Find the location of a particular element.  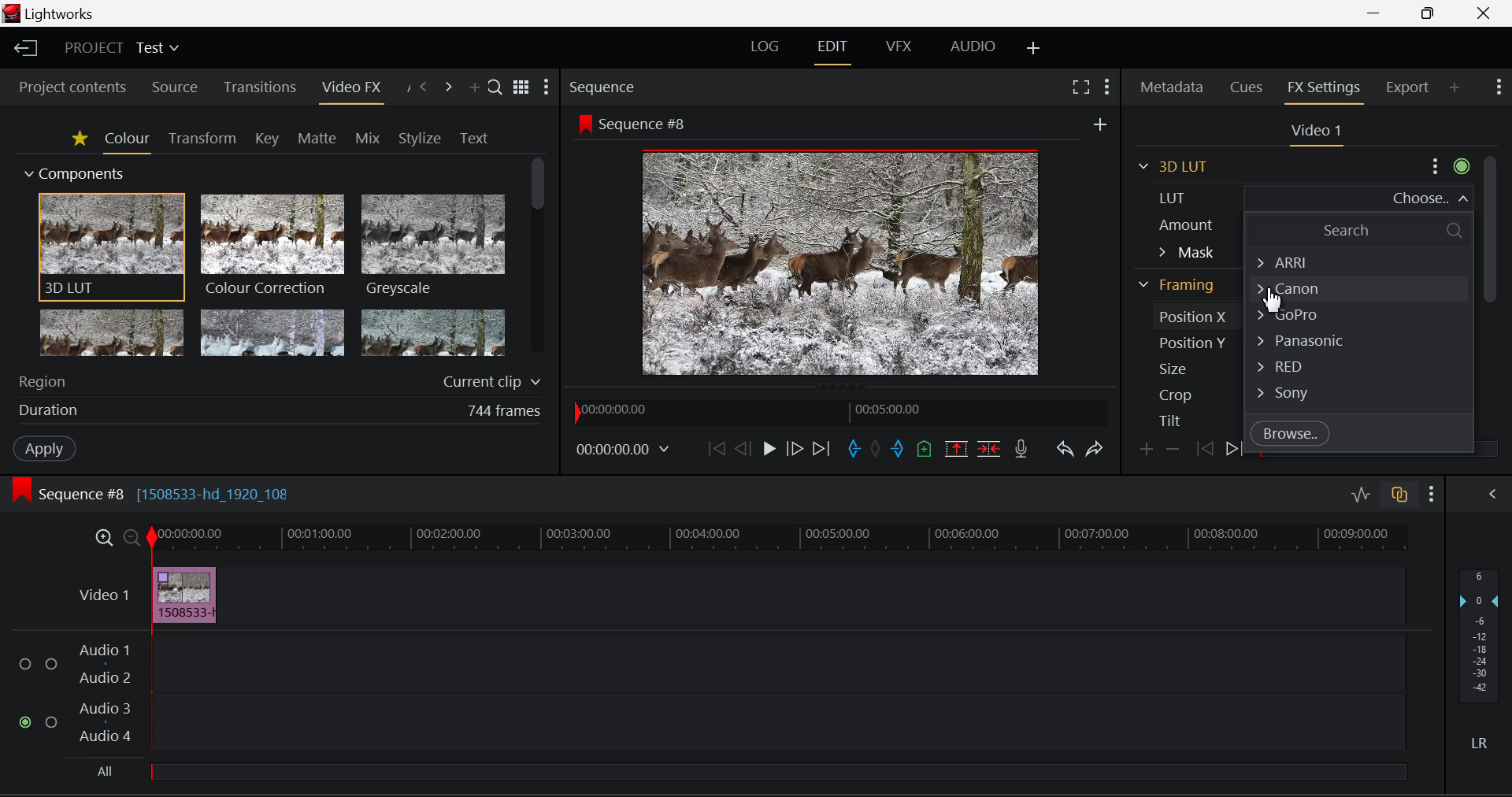

Cues is located at coordinates (1246, 87).